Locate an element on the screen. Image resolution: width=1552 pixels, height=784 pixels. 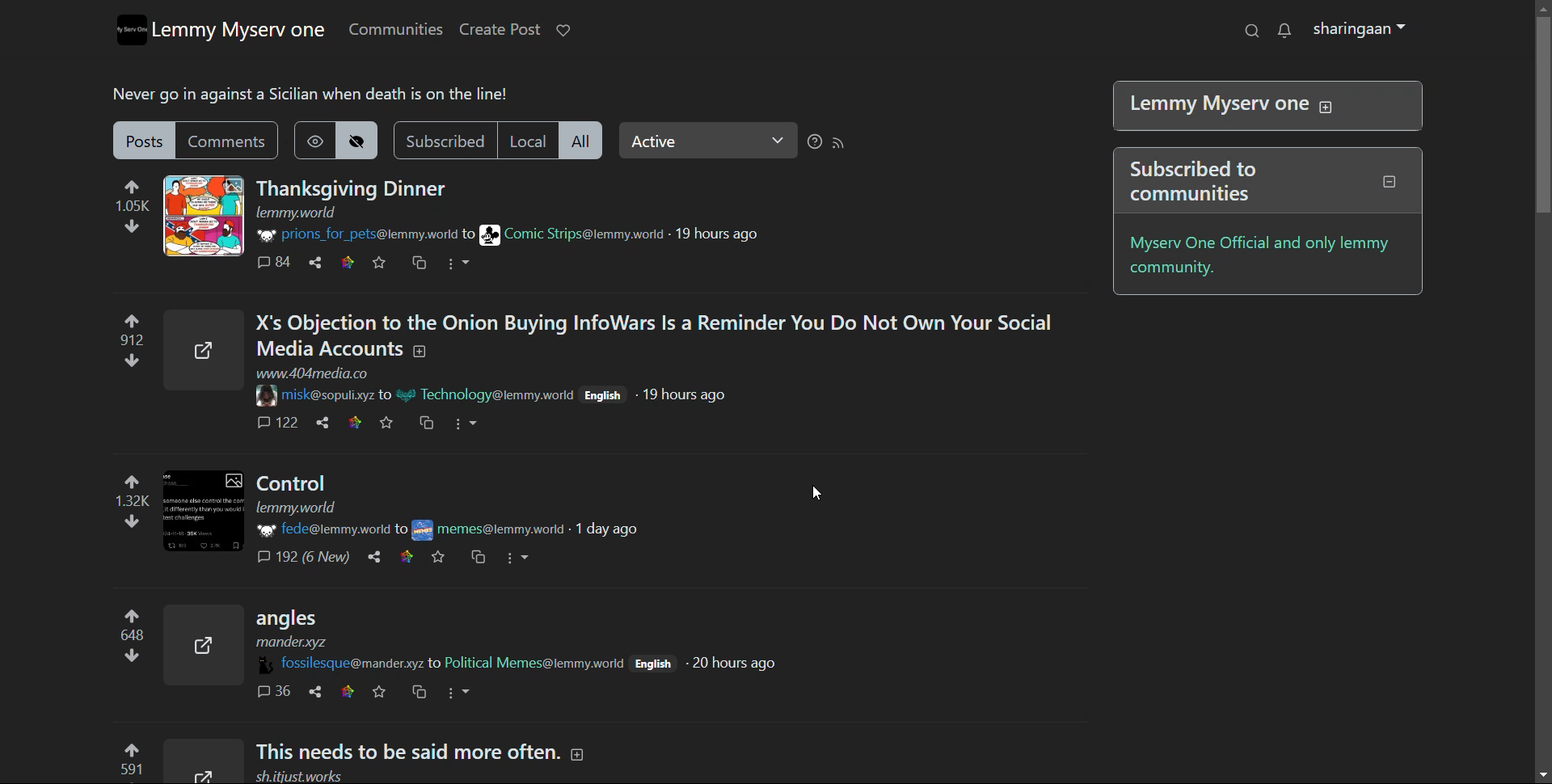
Comments is located at coordinates (308, 558).